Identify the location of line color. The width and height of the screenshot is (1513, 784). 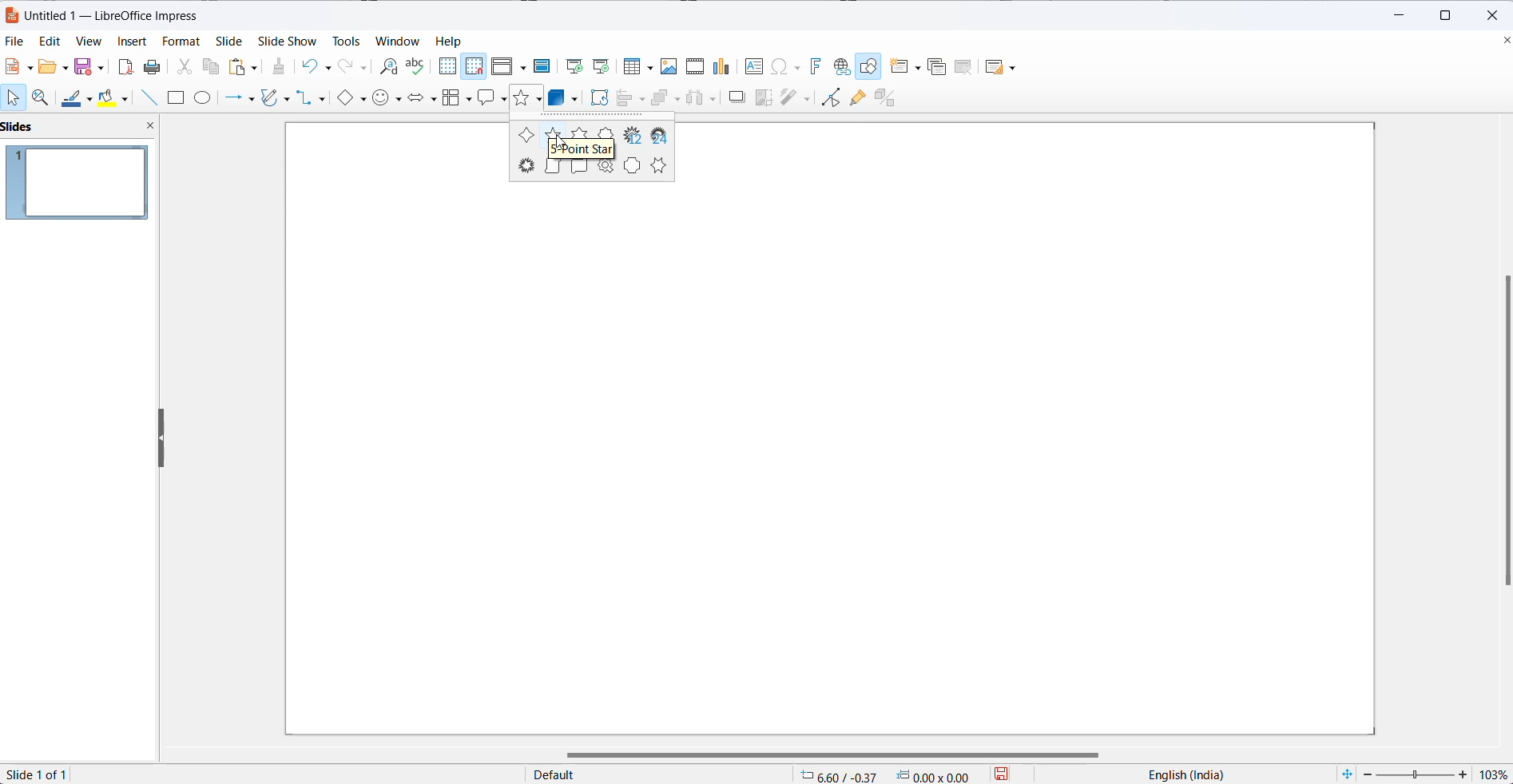
(78, 97).